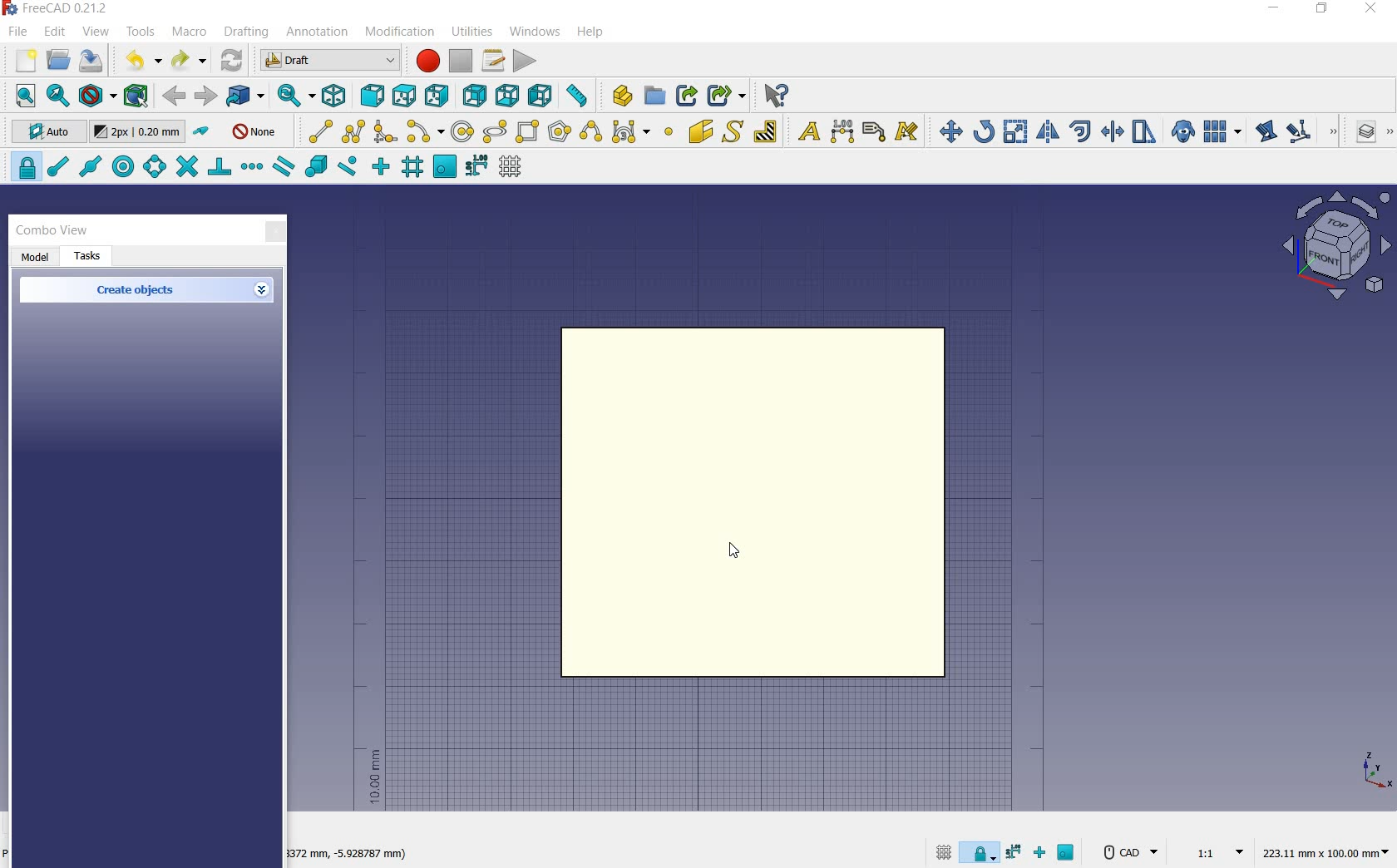 Image resolution: width=1397 pixels, height=868 pixels. Describe the element at coordinates (137, 97) in the screenshot. I see `bounding box` at that location.